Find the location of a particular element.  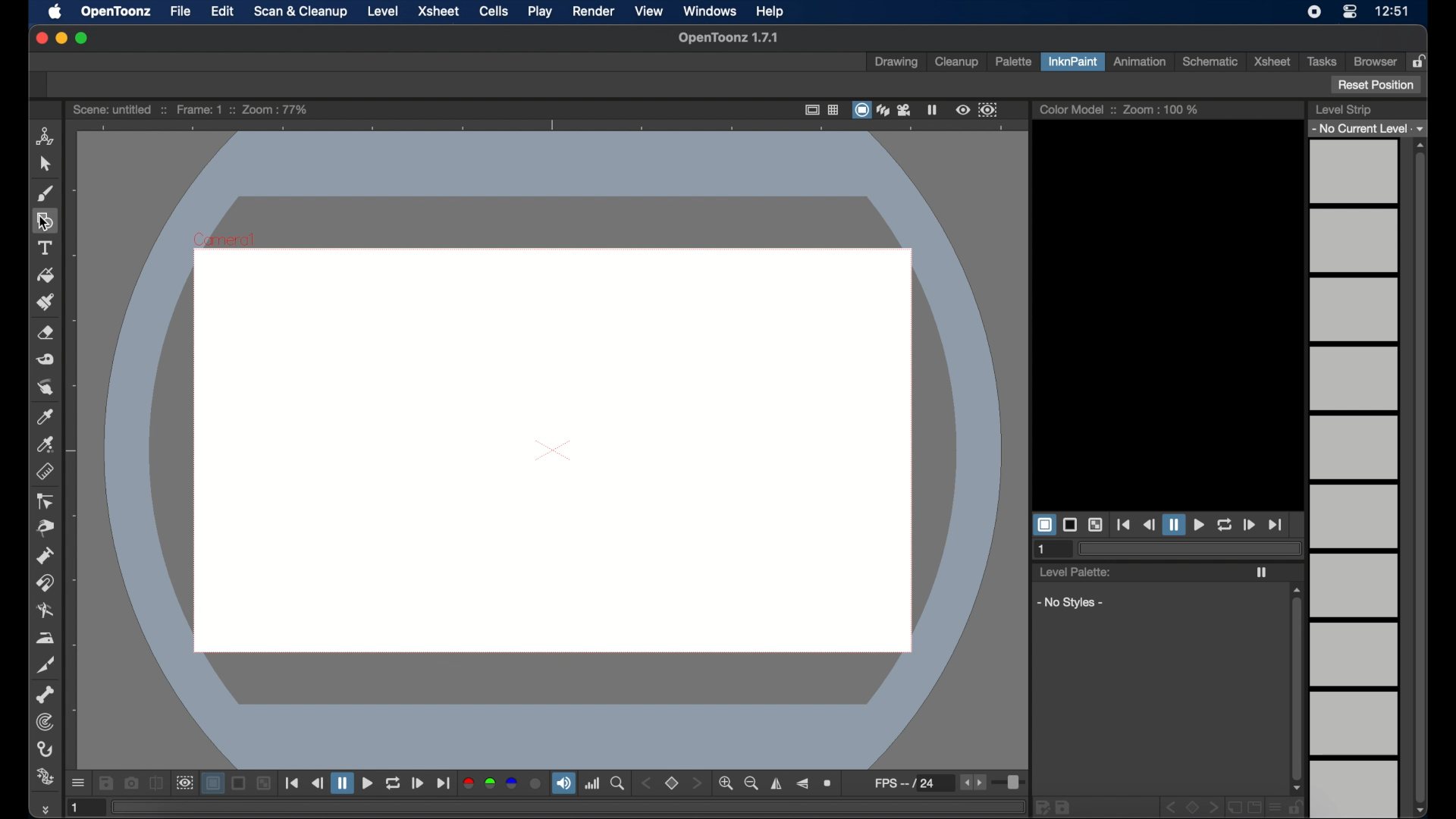

color model is located at coordinates (1077, 108).